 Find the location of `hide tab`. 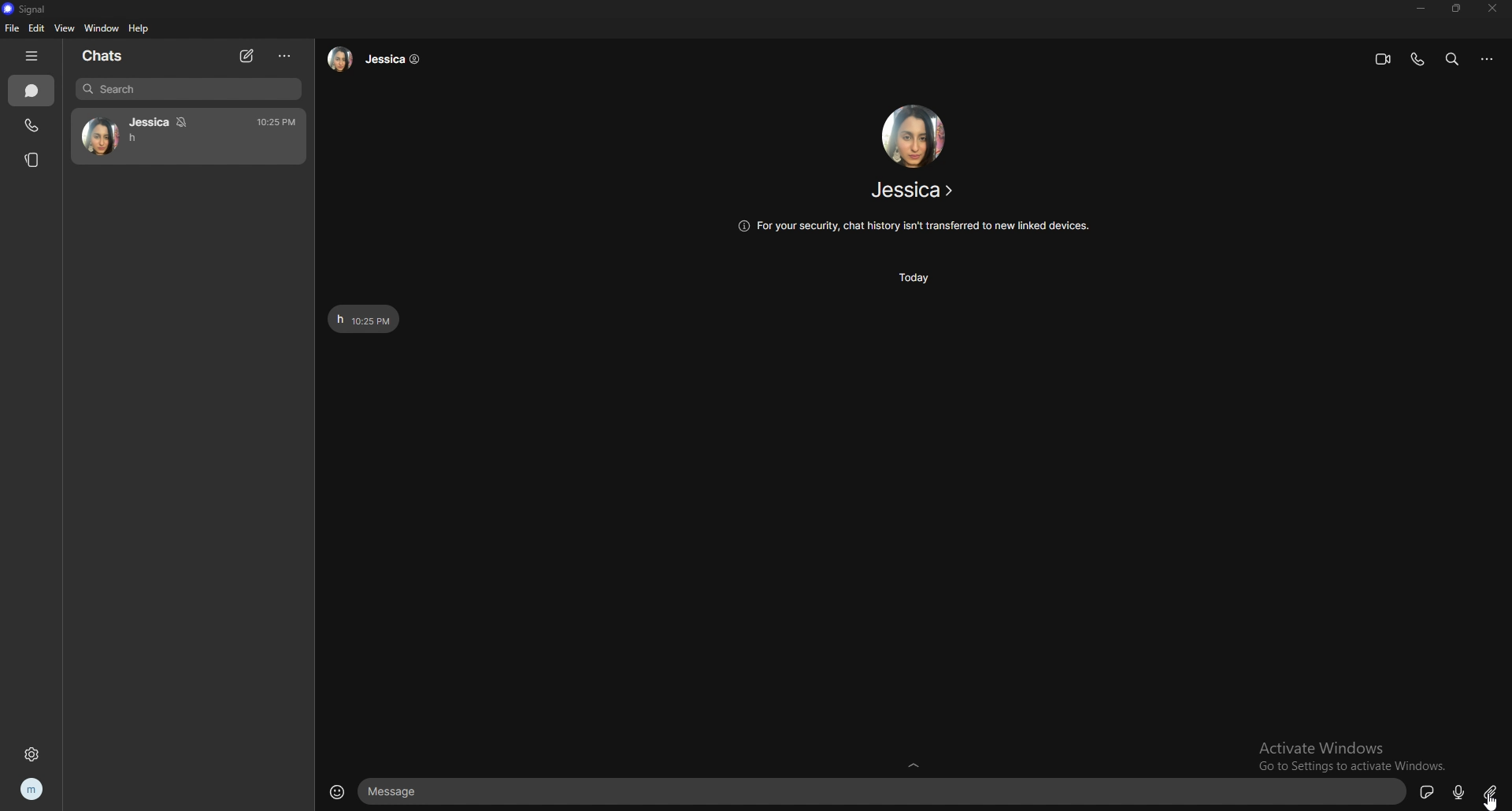

hide tab is located at coordinates (31, 54).